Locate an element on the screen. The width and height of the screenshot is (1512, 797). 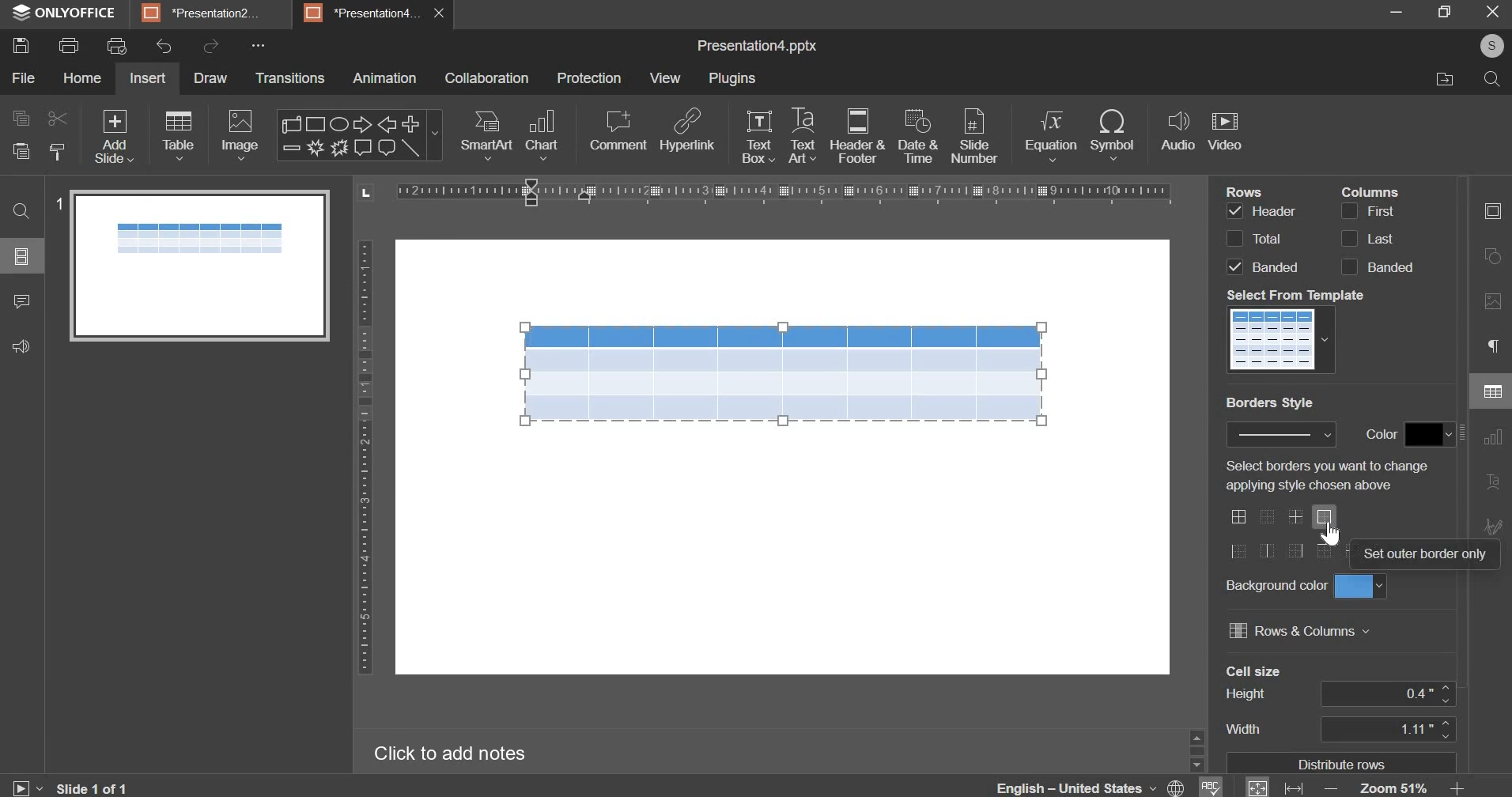
rows is located at coordinates (1242, 191).